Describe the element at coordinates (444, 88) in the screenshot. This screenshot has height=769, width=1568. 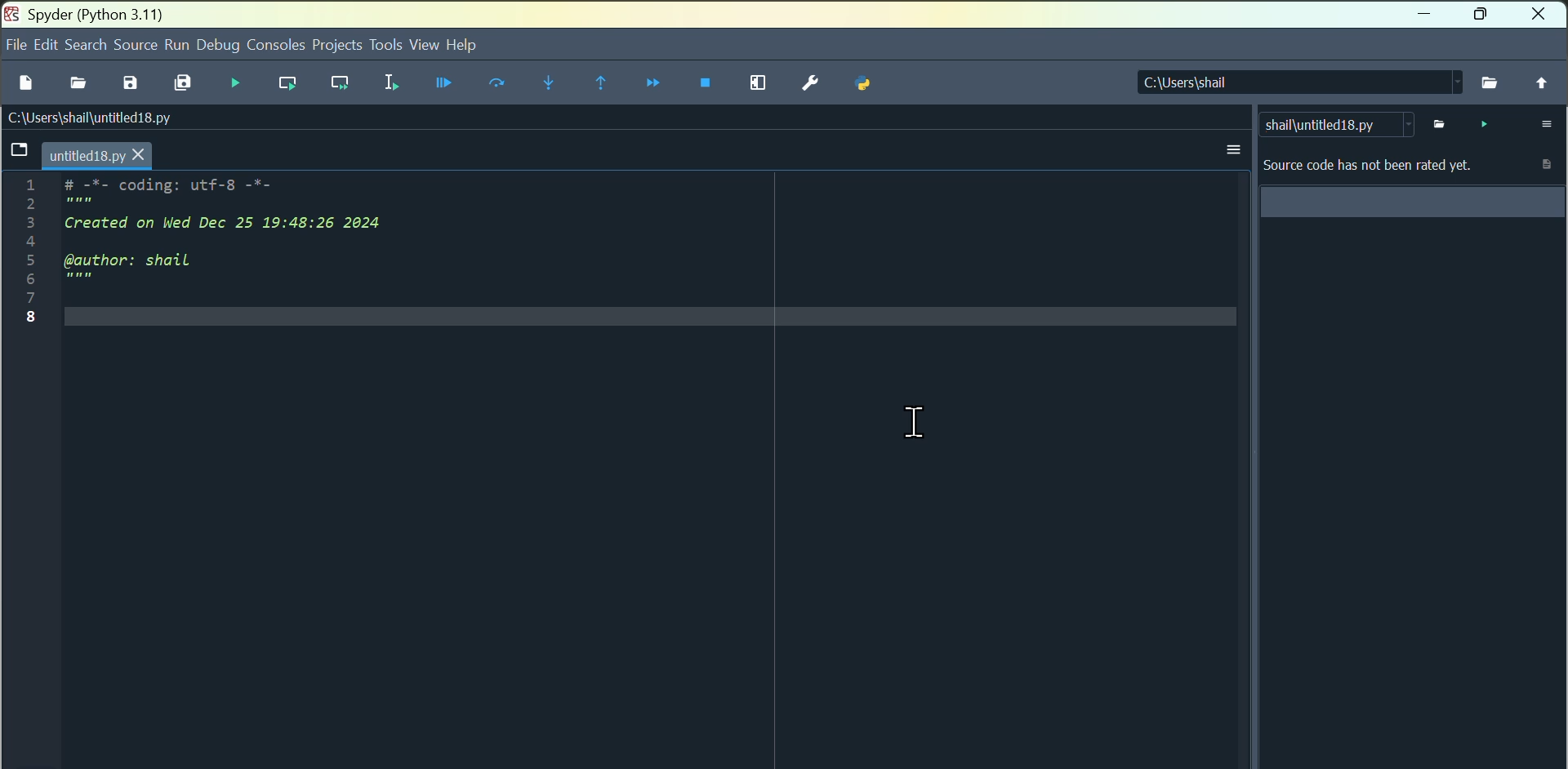
I see `Debug` at that location.